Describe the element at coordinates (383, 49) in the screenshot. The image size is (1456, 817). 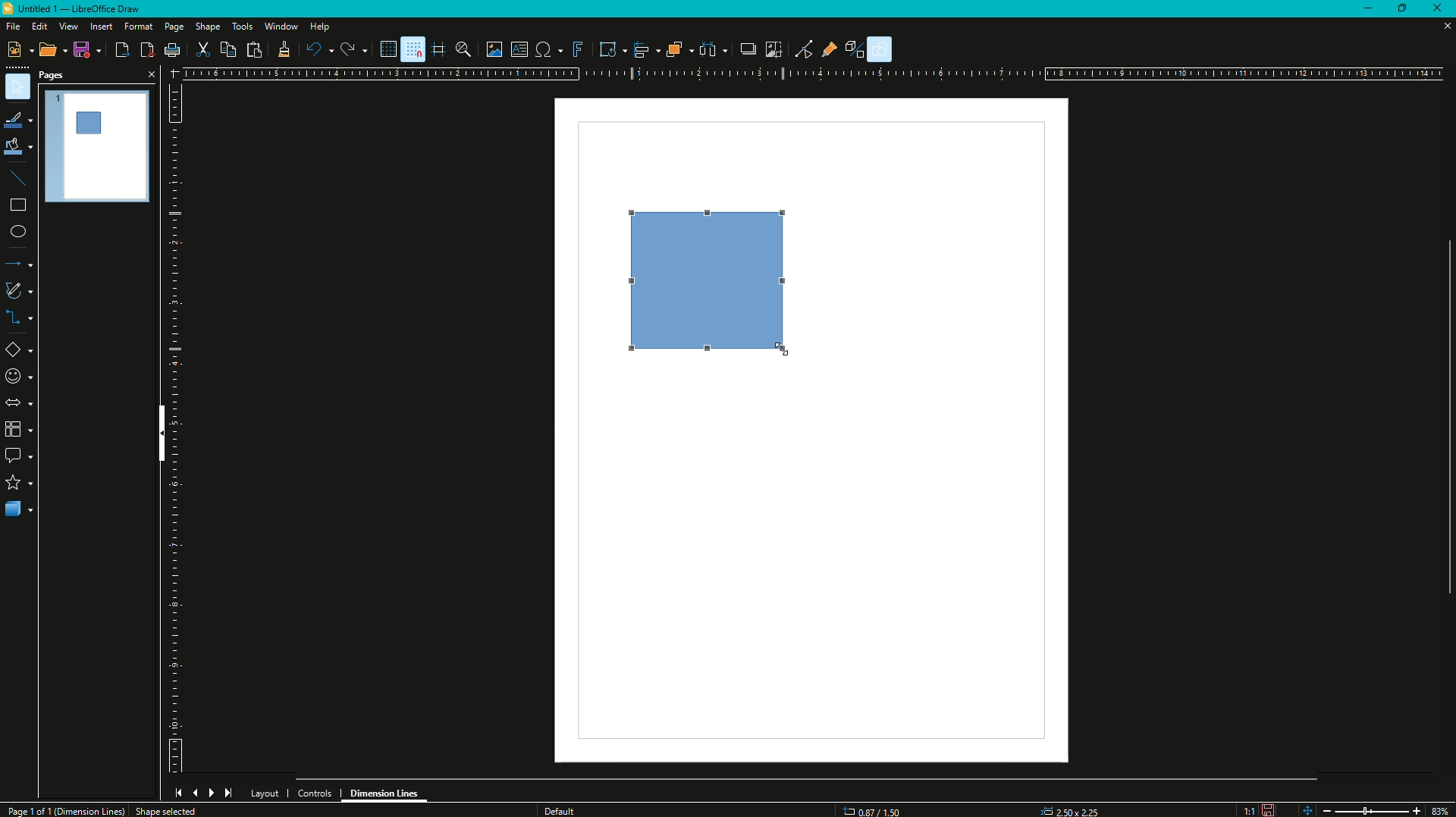
I see `Display Grid` at that location.